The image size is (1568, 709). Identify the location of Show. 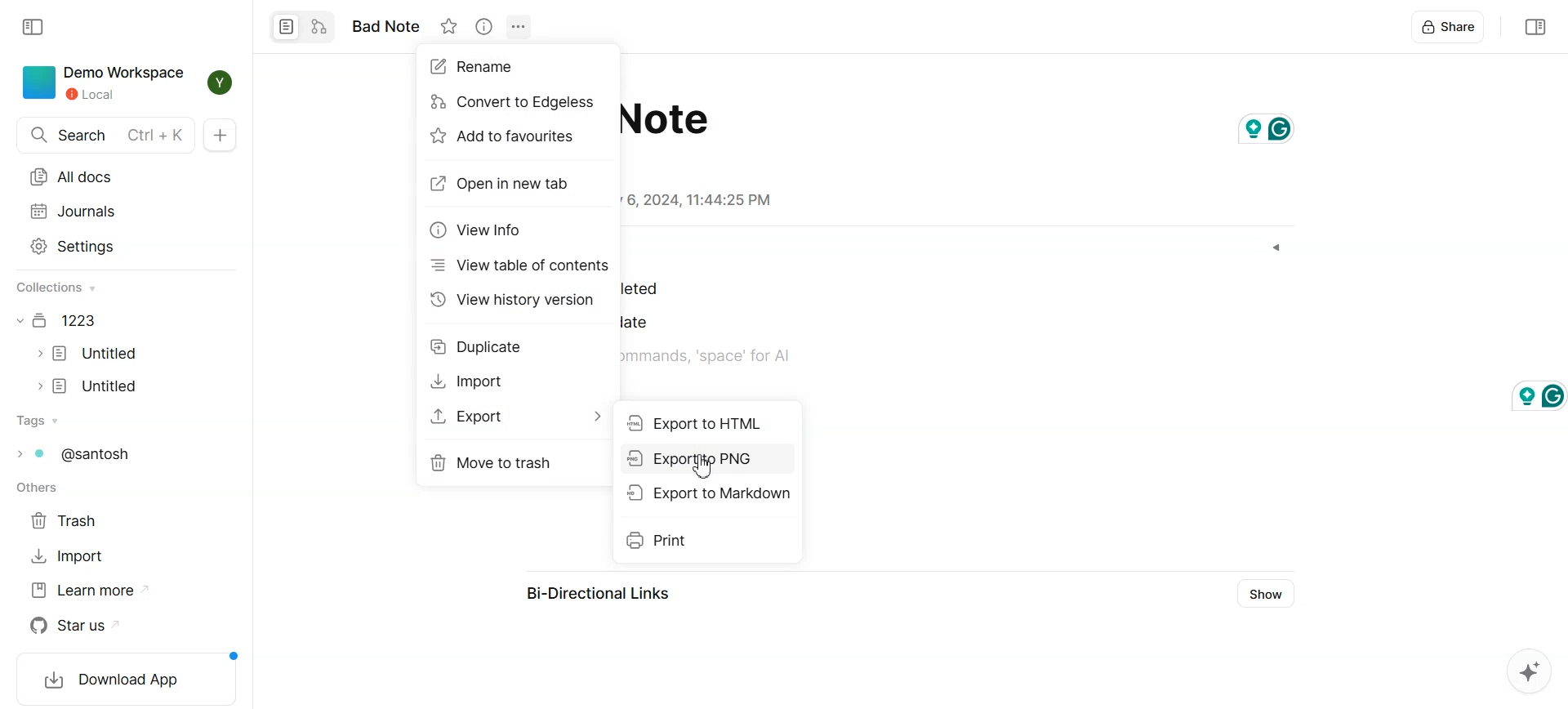
(1263, 594).